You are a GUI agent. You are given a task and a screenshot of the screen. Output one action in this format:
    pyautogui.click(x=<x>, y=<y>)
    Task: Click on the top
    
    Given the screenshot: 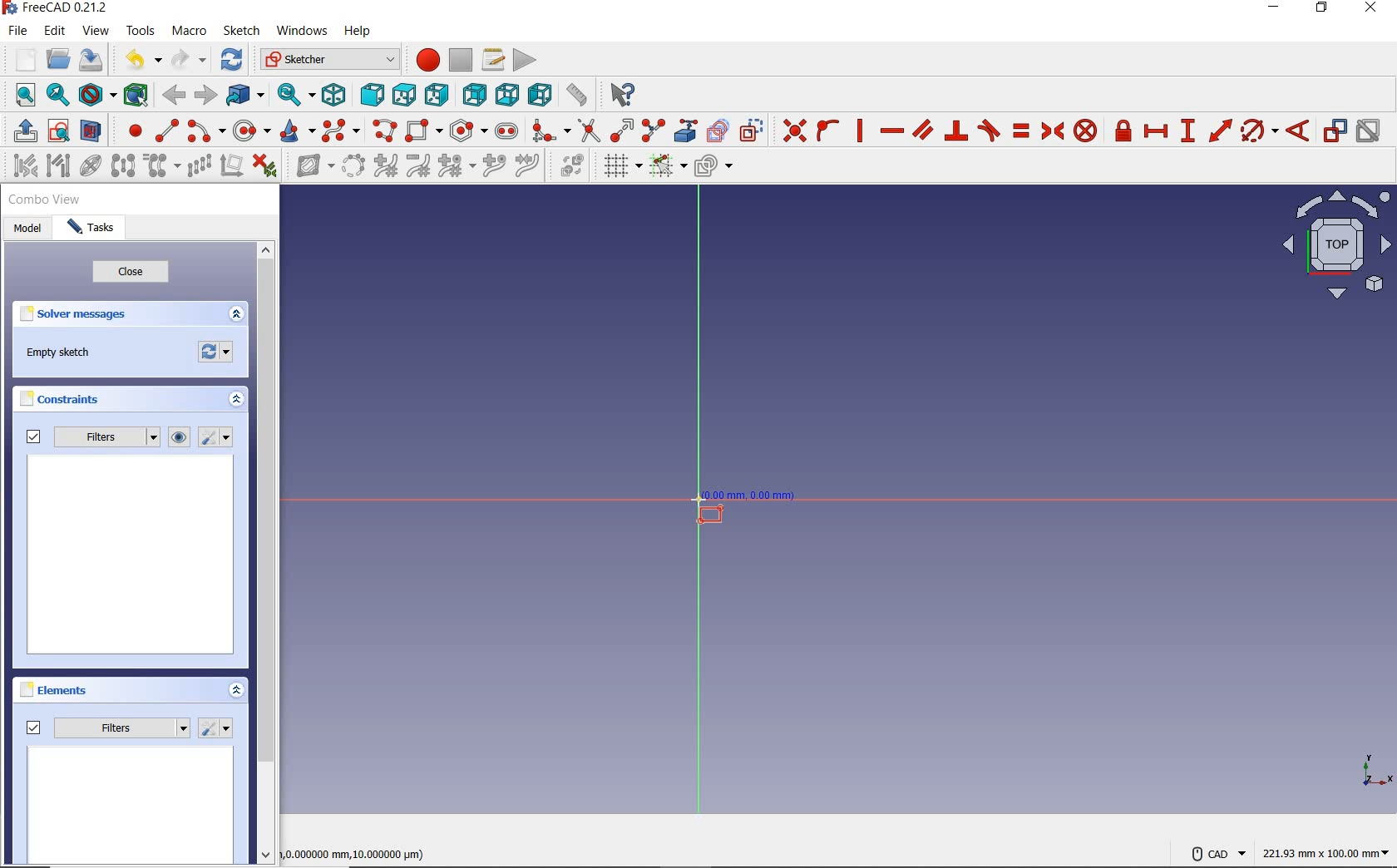 What is the action you would take?
    pyautogui.click(x=405, y=96)
    